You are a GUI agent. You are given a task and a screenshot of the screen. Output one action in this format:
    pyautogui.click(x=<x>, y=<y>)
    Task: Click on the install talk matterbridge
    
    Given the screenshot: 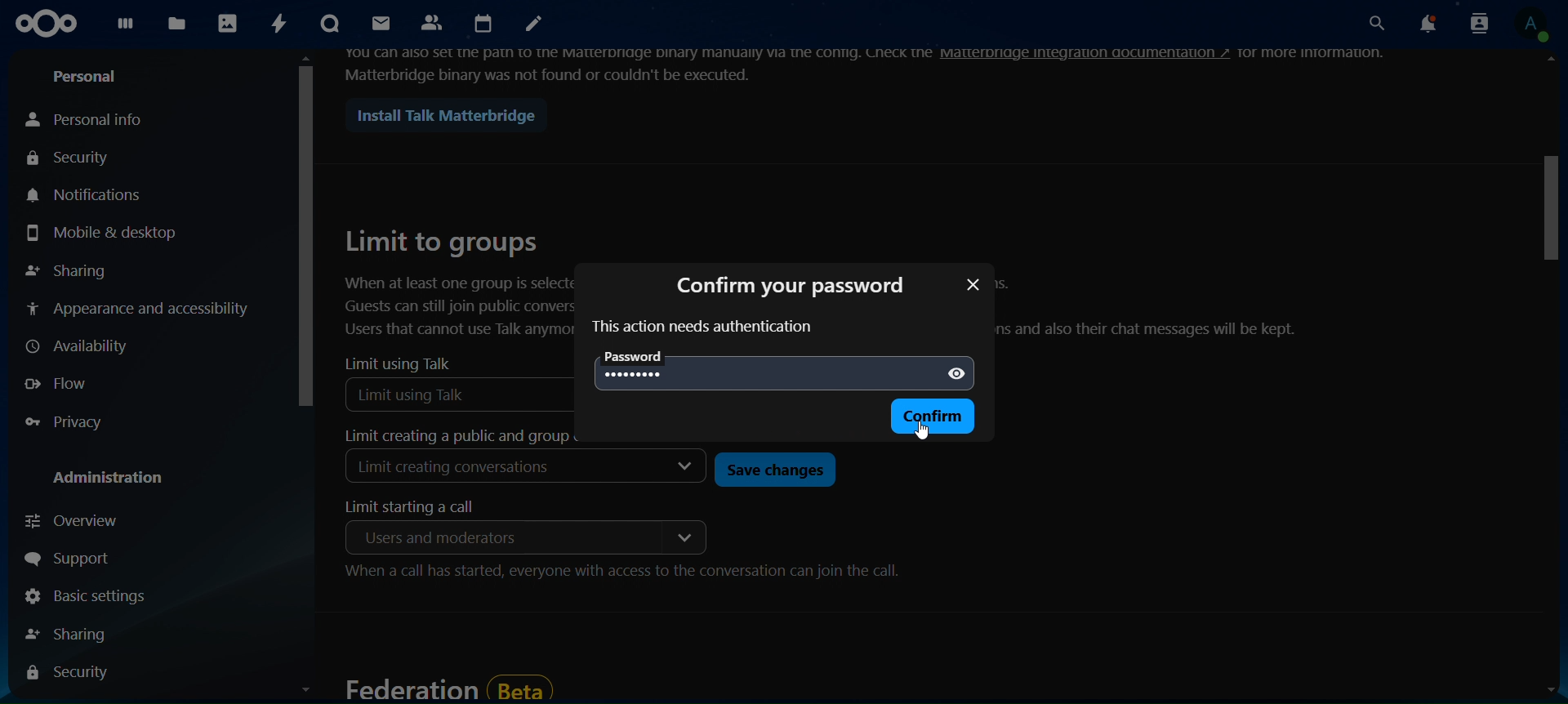 What is the action you would take?
    pyautogui.click(x=439, y=116)
    